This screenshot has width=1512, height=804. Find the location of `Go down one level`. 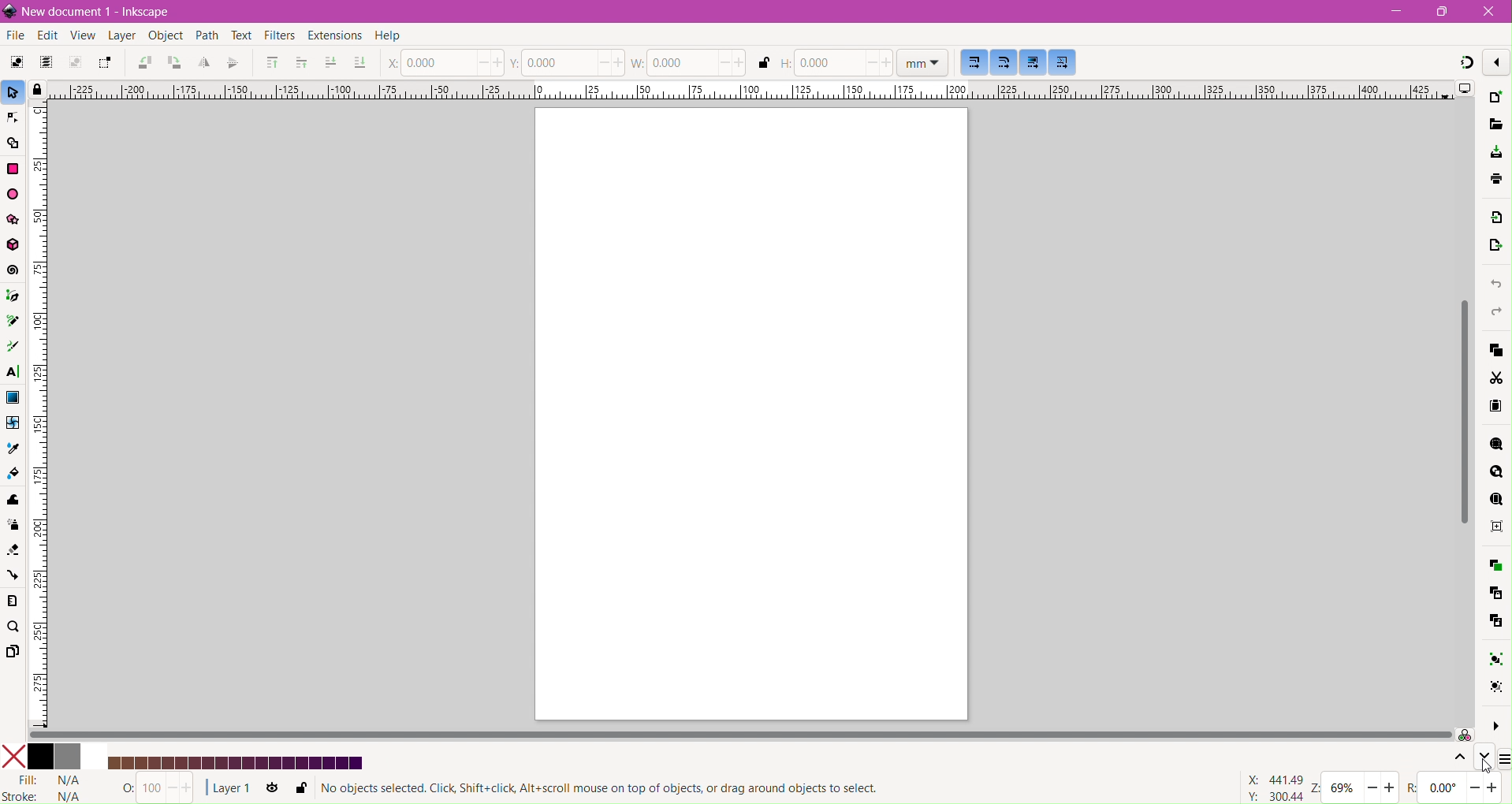

Go down one level is located at coordinates (1484, 760).